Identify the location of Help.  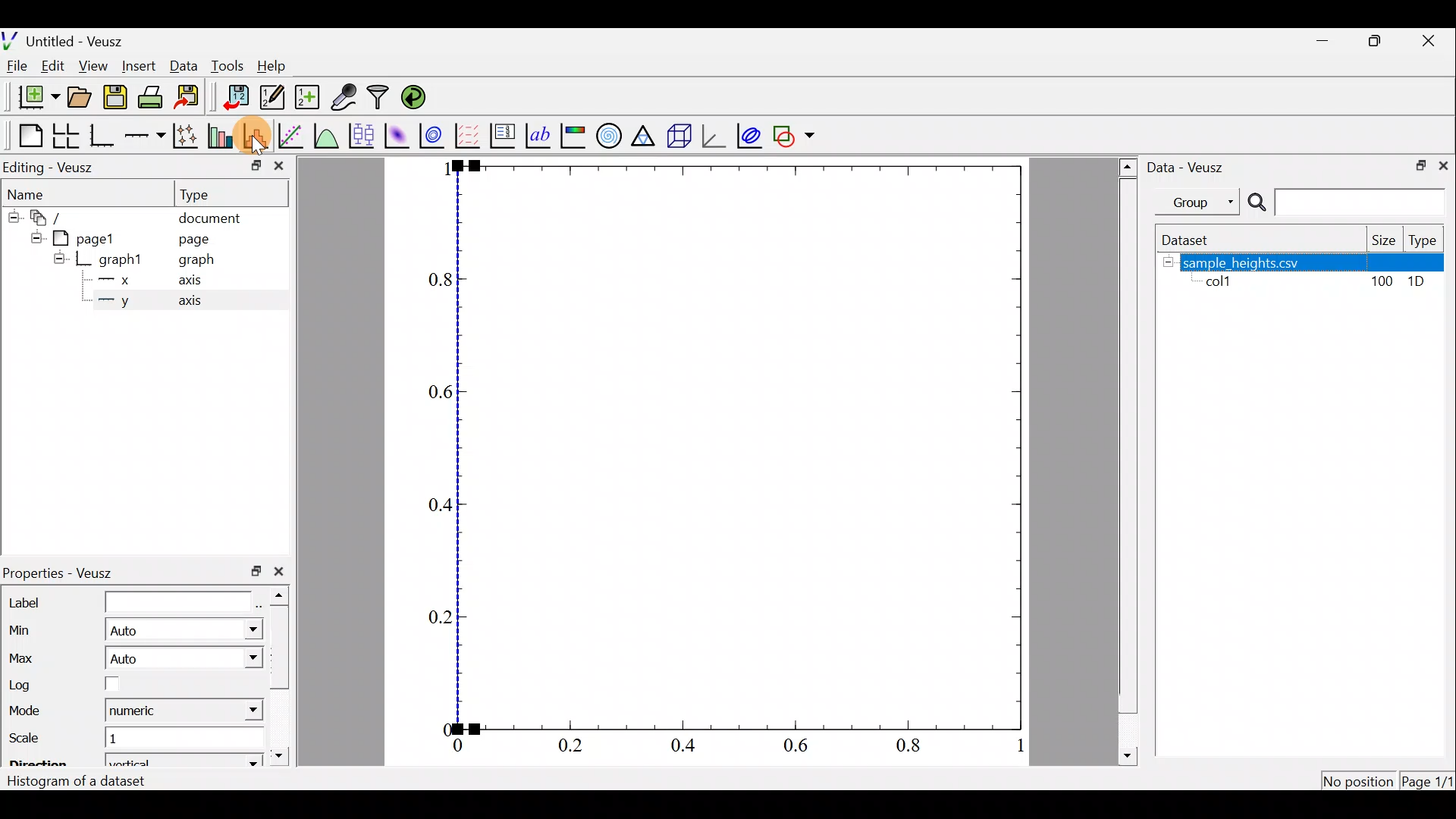
(277, 69).